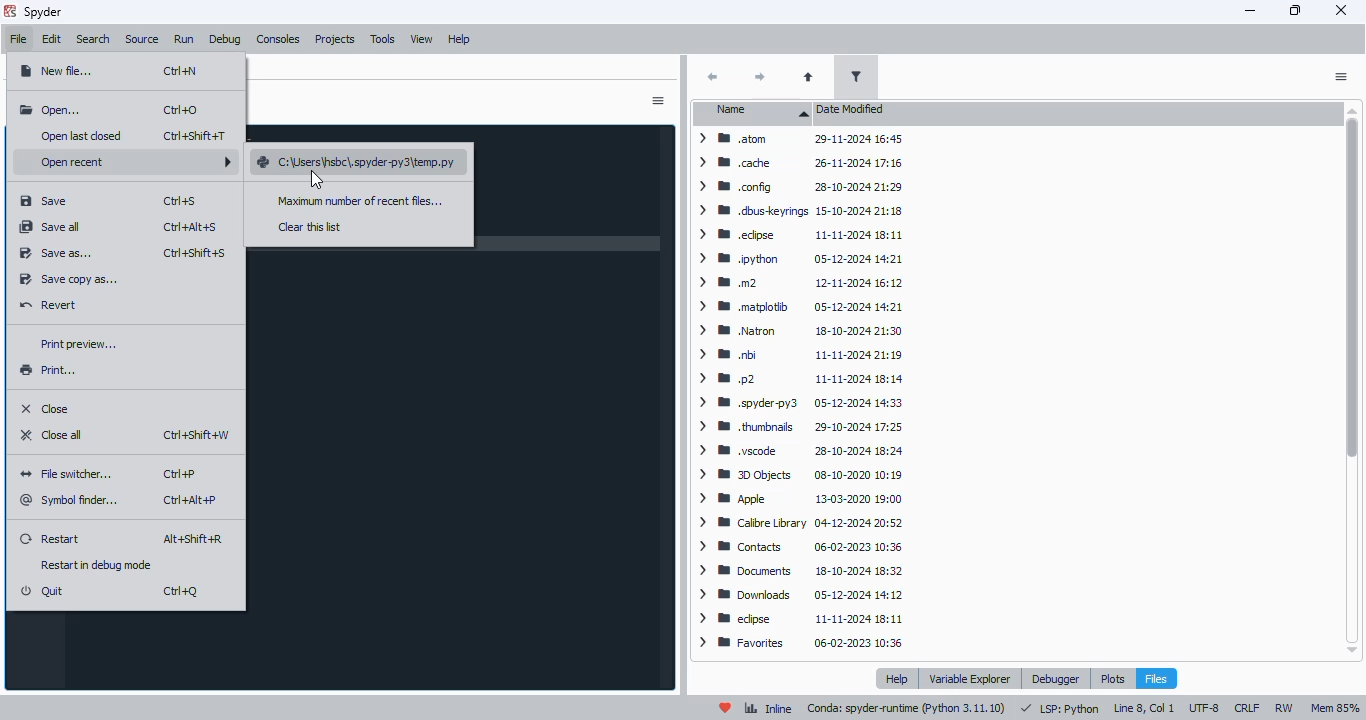 This screenshot has height=720, width=1366. What do you see at coordinates (1340, 77) in the screenshot?
I see `actions` at bounding box center [1340, 77].